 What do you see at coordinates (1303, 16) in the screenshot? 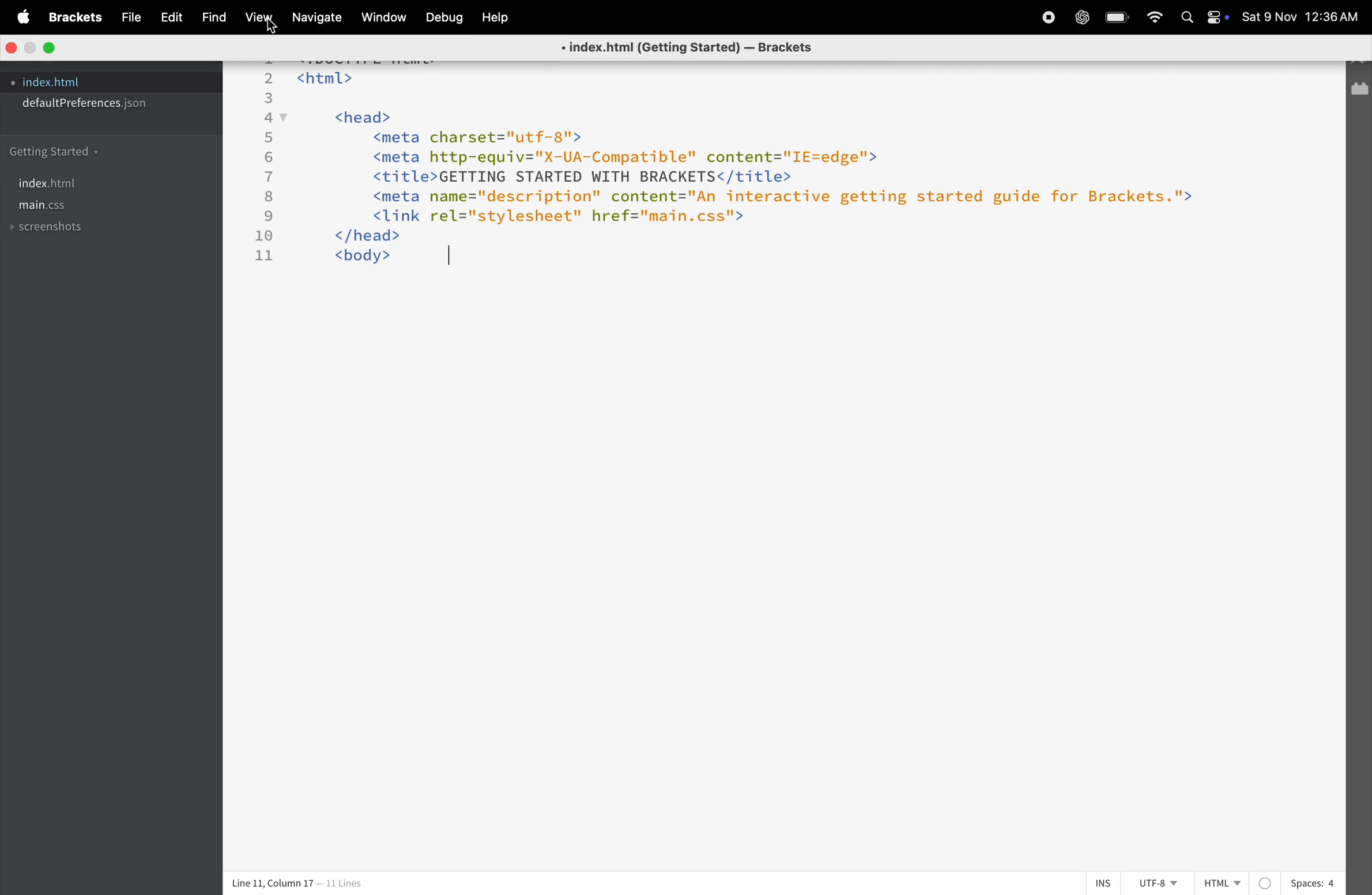
I see `time and date` at bounding box center [1303, 16].